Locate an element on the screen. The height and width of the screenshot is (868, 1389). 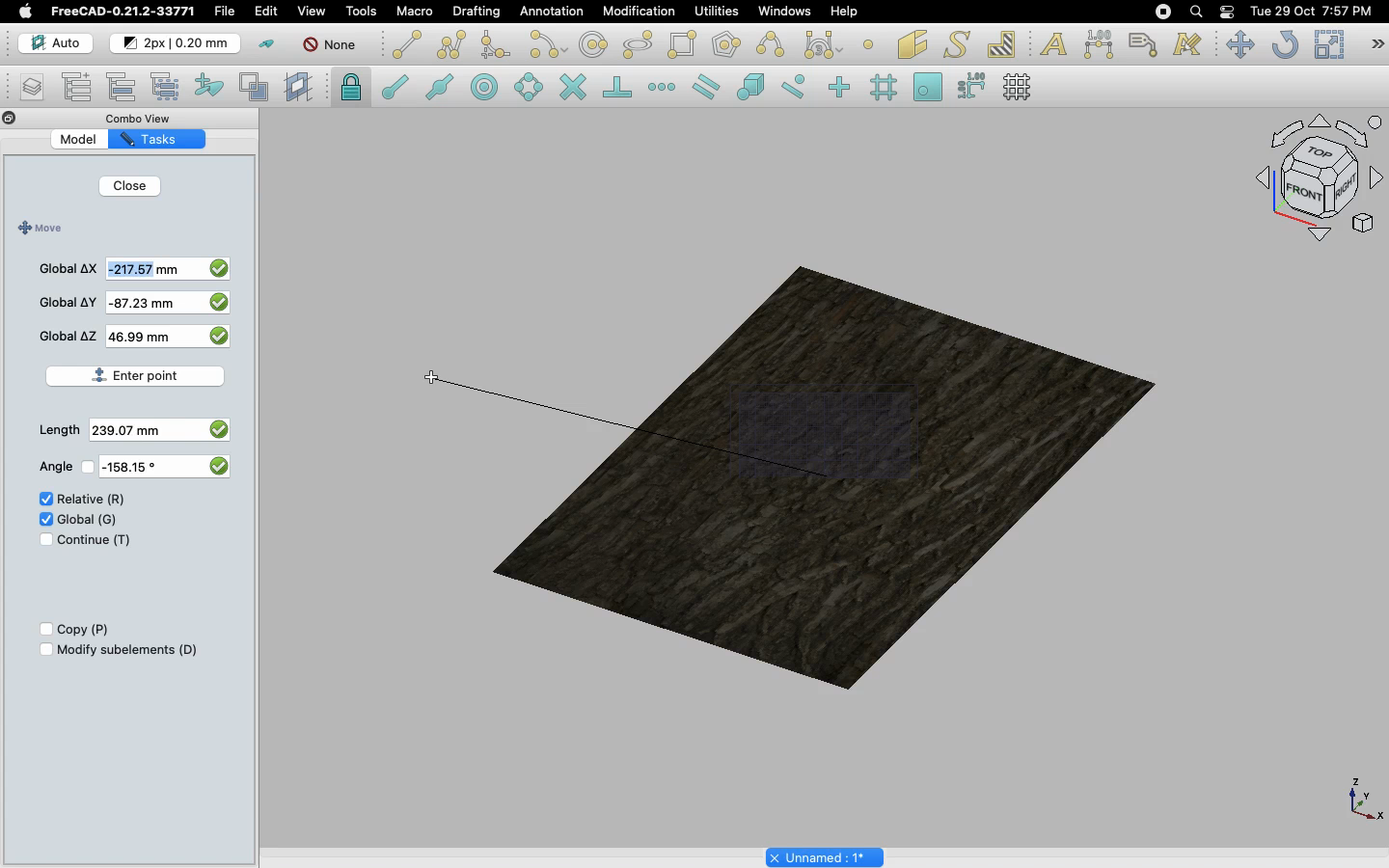
checkbox is located at coordinates (217, 427).